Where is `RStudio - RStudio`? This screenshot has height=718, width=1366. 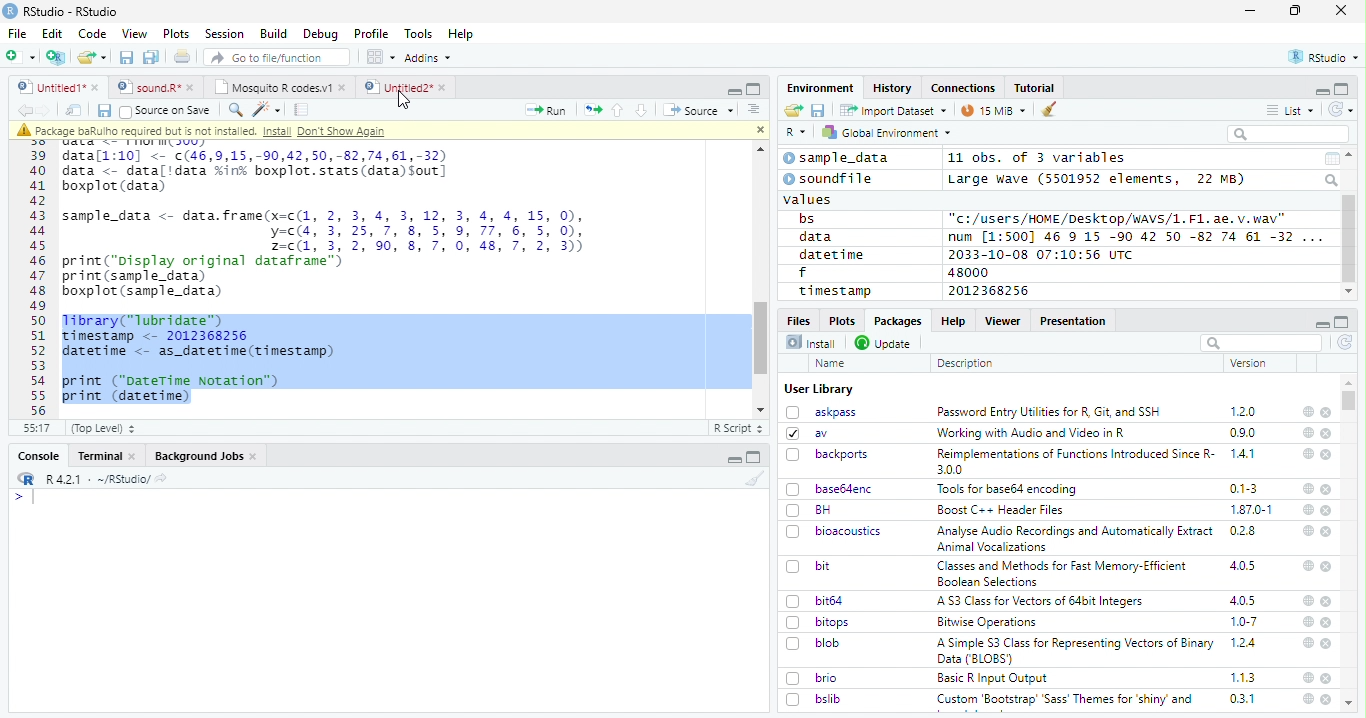
RStudio - RStudio is located at coordinates (71, 11).